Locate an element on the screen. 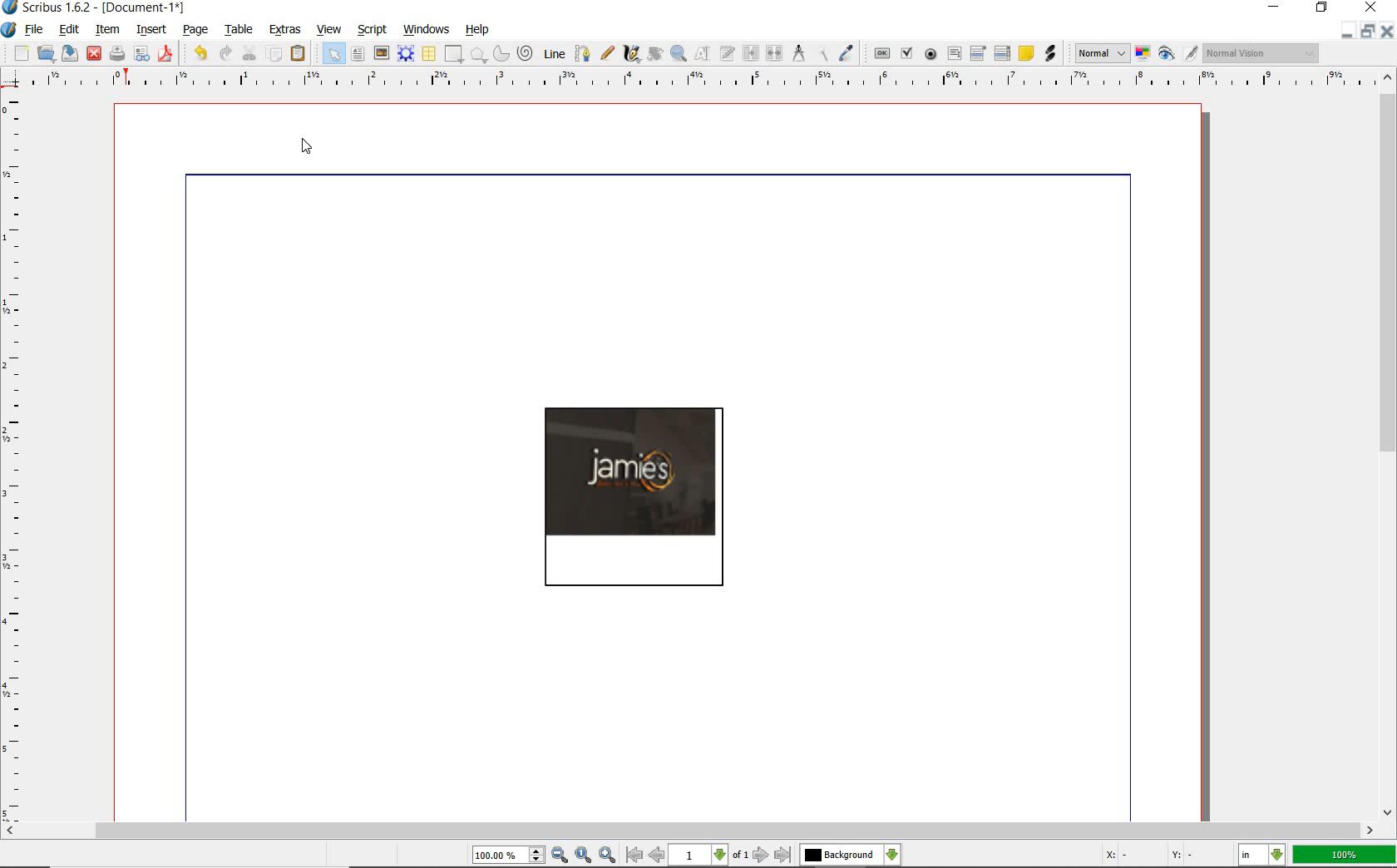 The height and width of the screenshot is (868, 1397). Vertical Margin is located at coordinates (16, 456).